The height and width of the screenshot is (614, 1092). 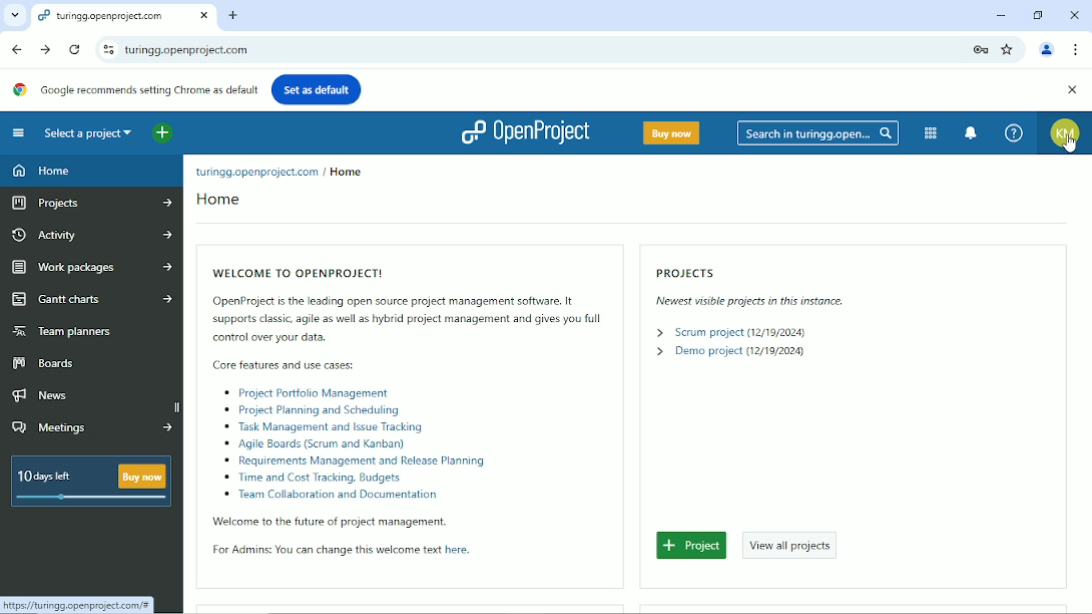 What do you see at coordinates (539, 49) in the screenshot?
I see `current site link : turingg.openproject.com` at bounding box center [539, 49].